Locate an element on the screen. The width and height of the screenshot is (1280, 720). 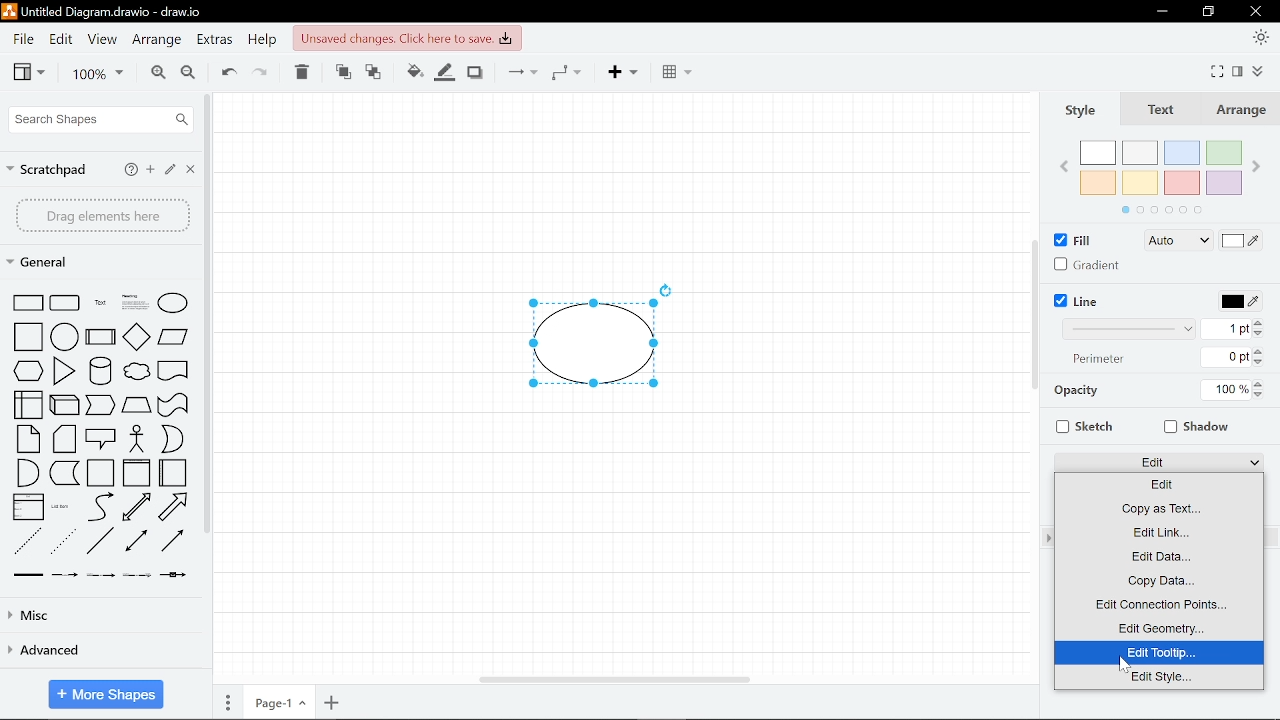
Current perimeter is located at coordinates (1231, 358).